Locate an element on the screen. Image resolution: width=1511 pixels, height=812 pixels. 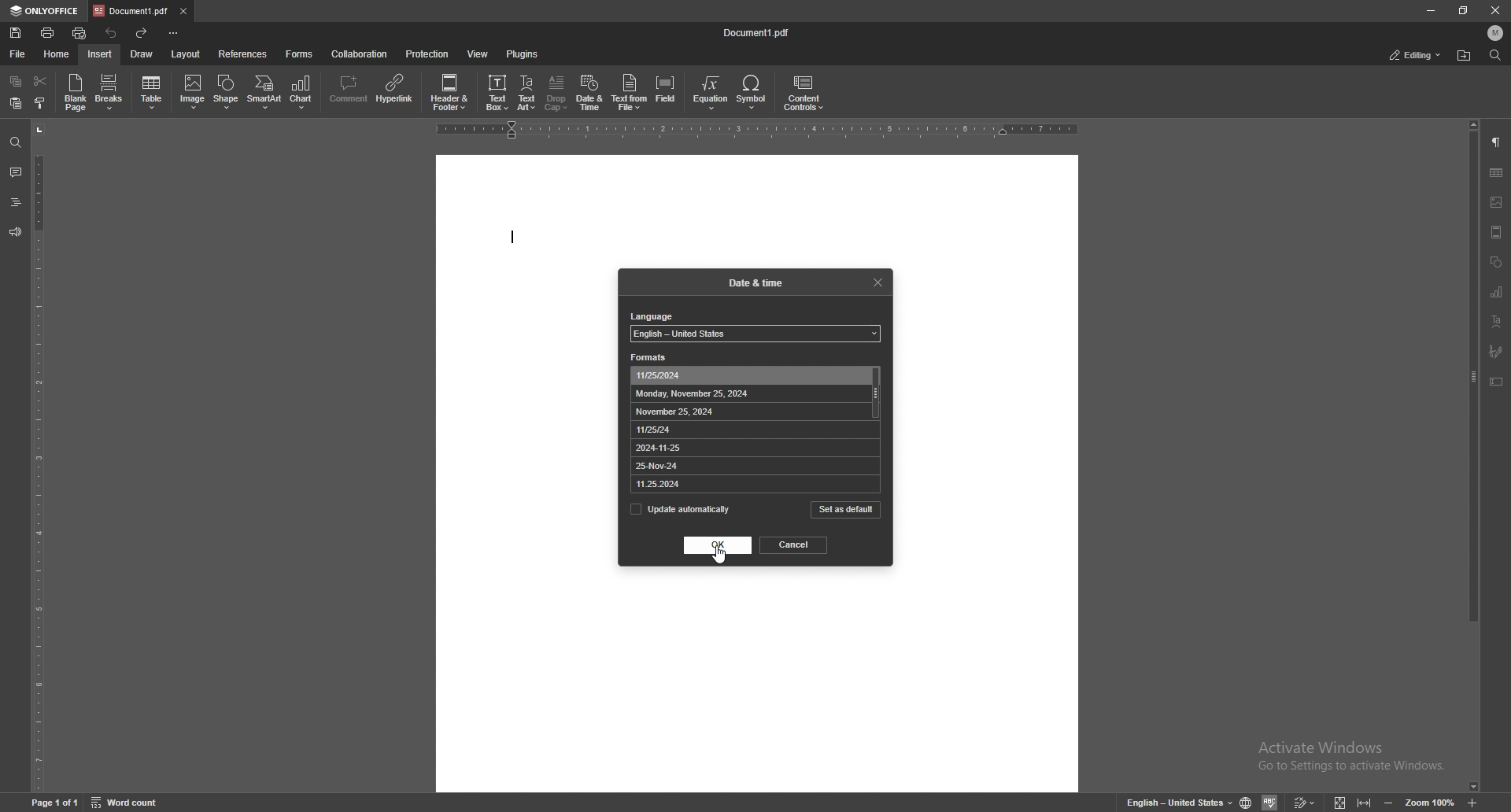
equation is located at coordinates (709, 90).